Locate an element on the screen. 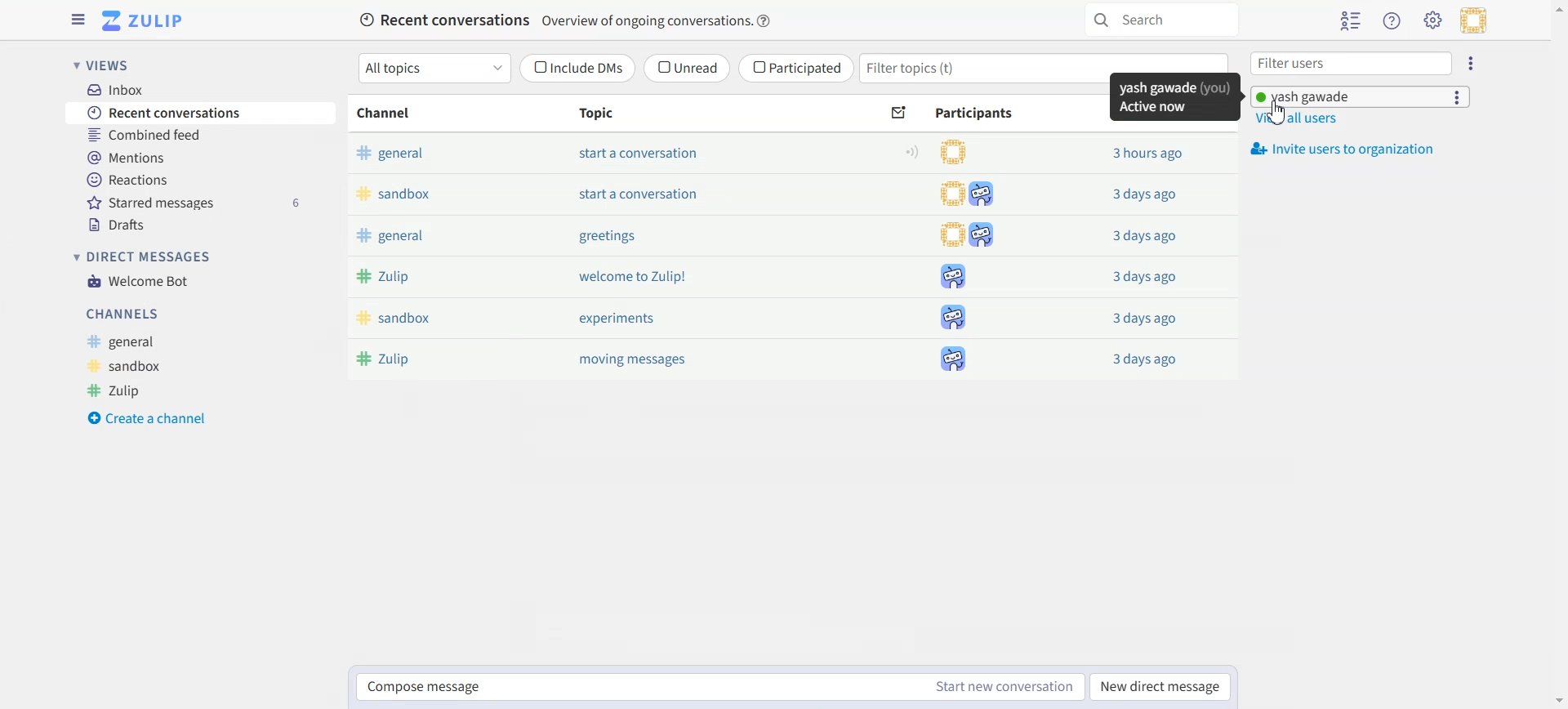 The image size is (1568, 709). Info is located at coordinates (767, 20).